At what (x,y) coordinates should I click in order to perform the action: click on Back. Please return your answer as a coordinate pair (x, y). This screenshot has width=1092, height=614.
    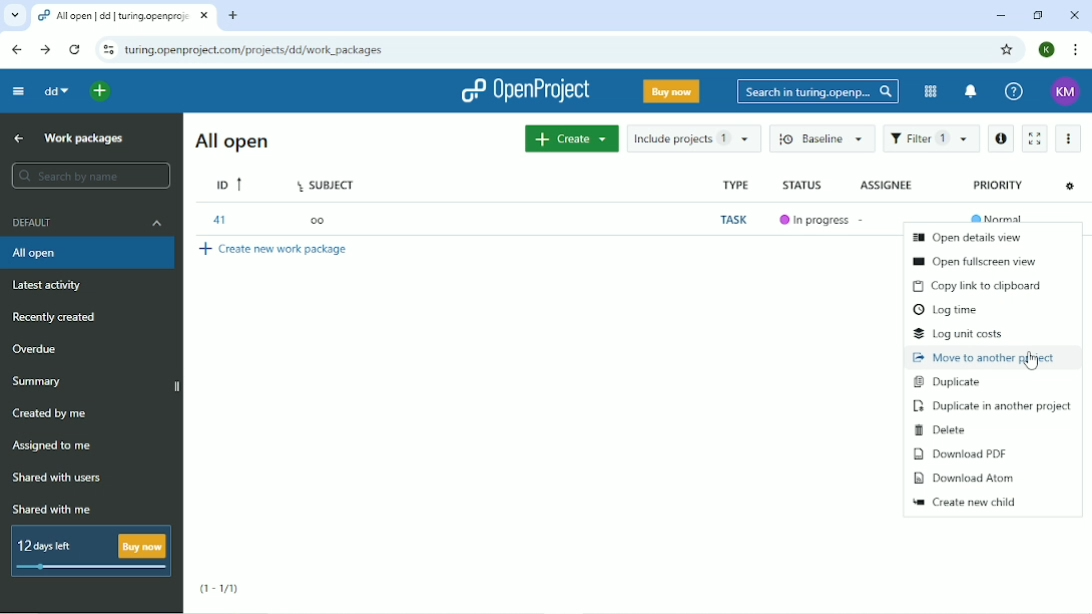
    Looking at the image, I should click on (16, 49).